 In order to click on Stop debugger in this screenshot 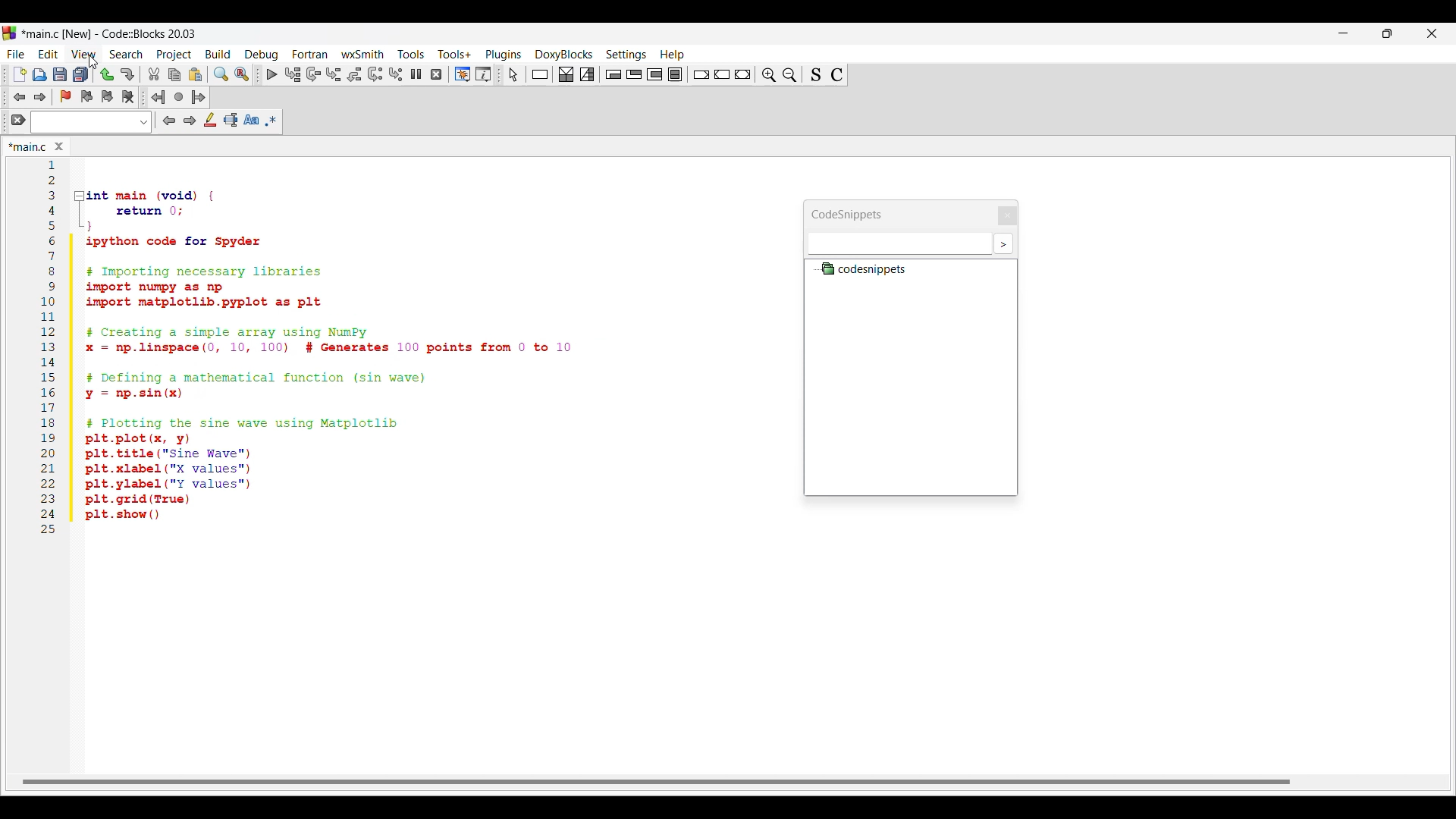, I will do `click(436, 74)`.